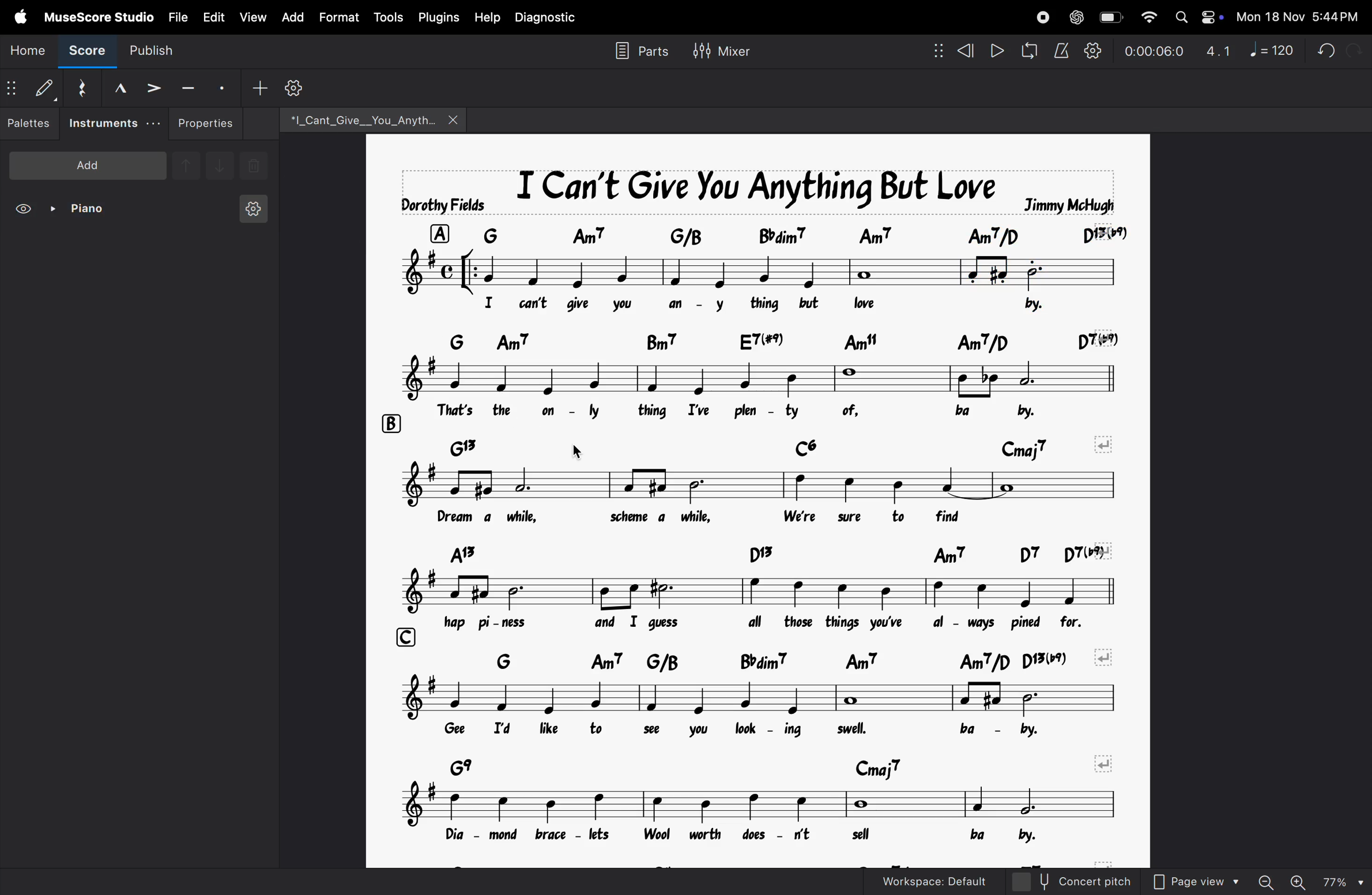 This screenshot has height=895, width=1372. What do you see at coordinates (1219, 52) in the screenshot?
I see `4.1` at bounding box center [1219, 52].